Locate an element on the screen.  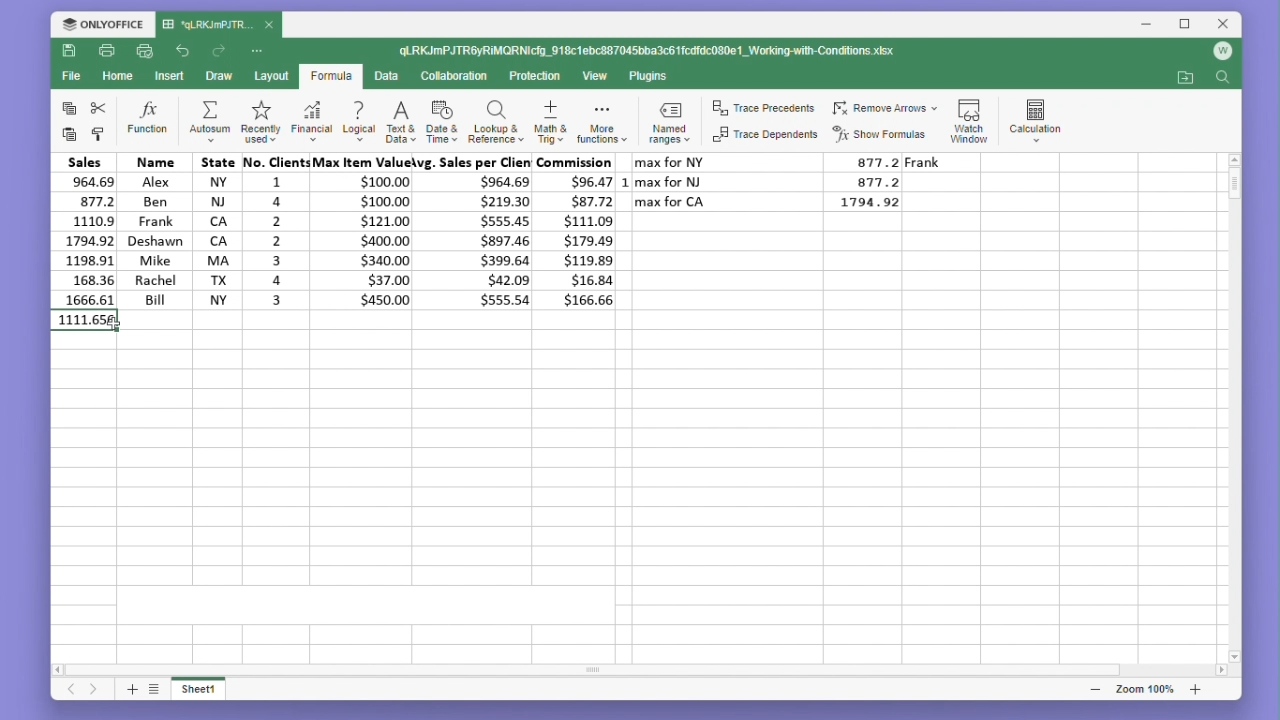
scroll up is located at coordinates (1234, 159).